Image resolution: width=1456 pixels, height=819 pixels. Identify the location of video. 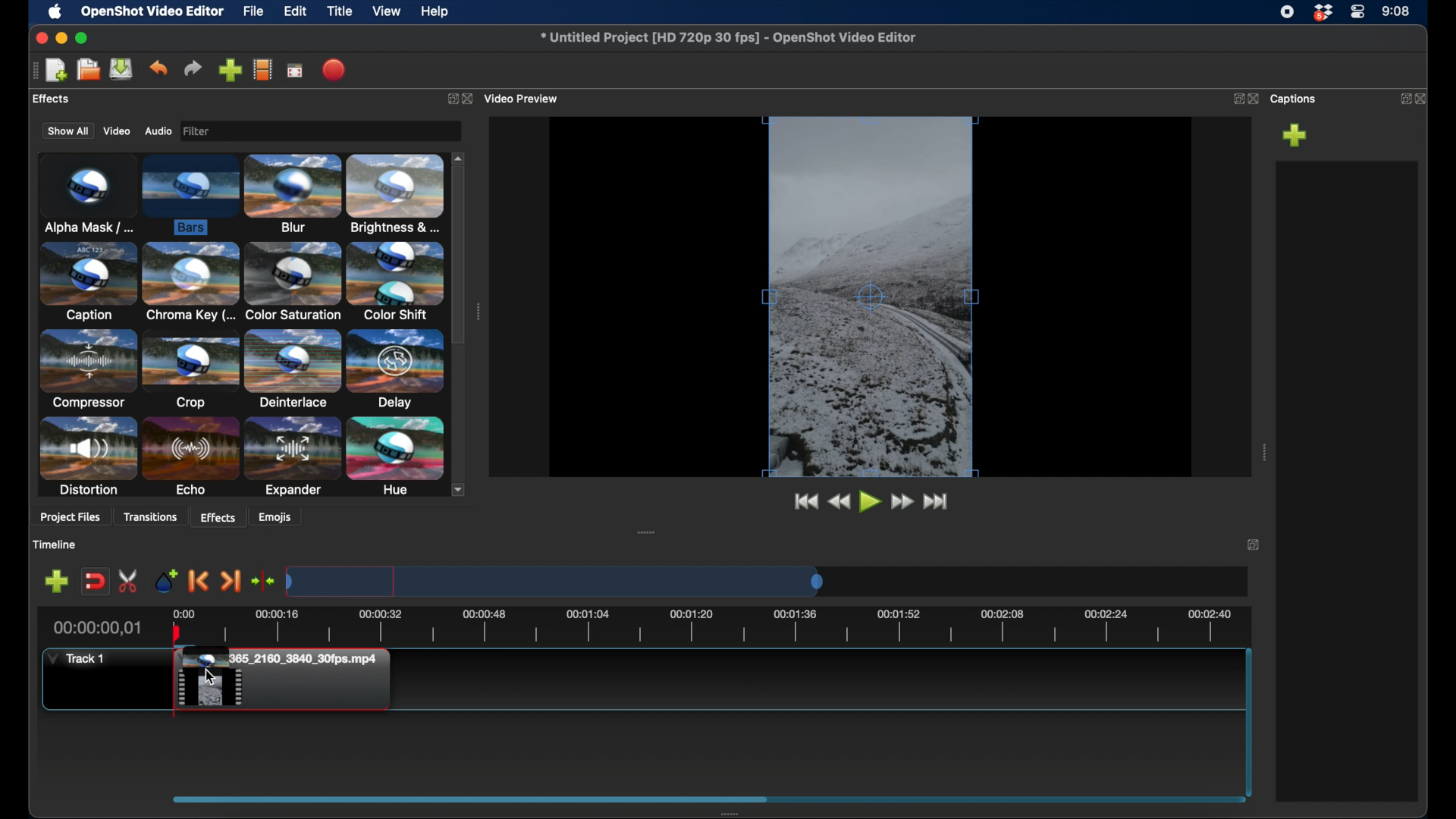
(117, 131).